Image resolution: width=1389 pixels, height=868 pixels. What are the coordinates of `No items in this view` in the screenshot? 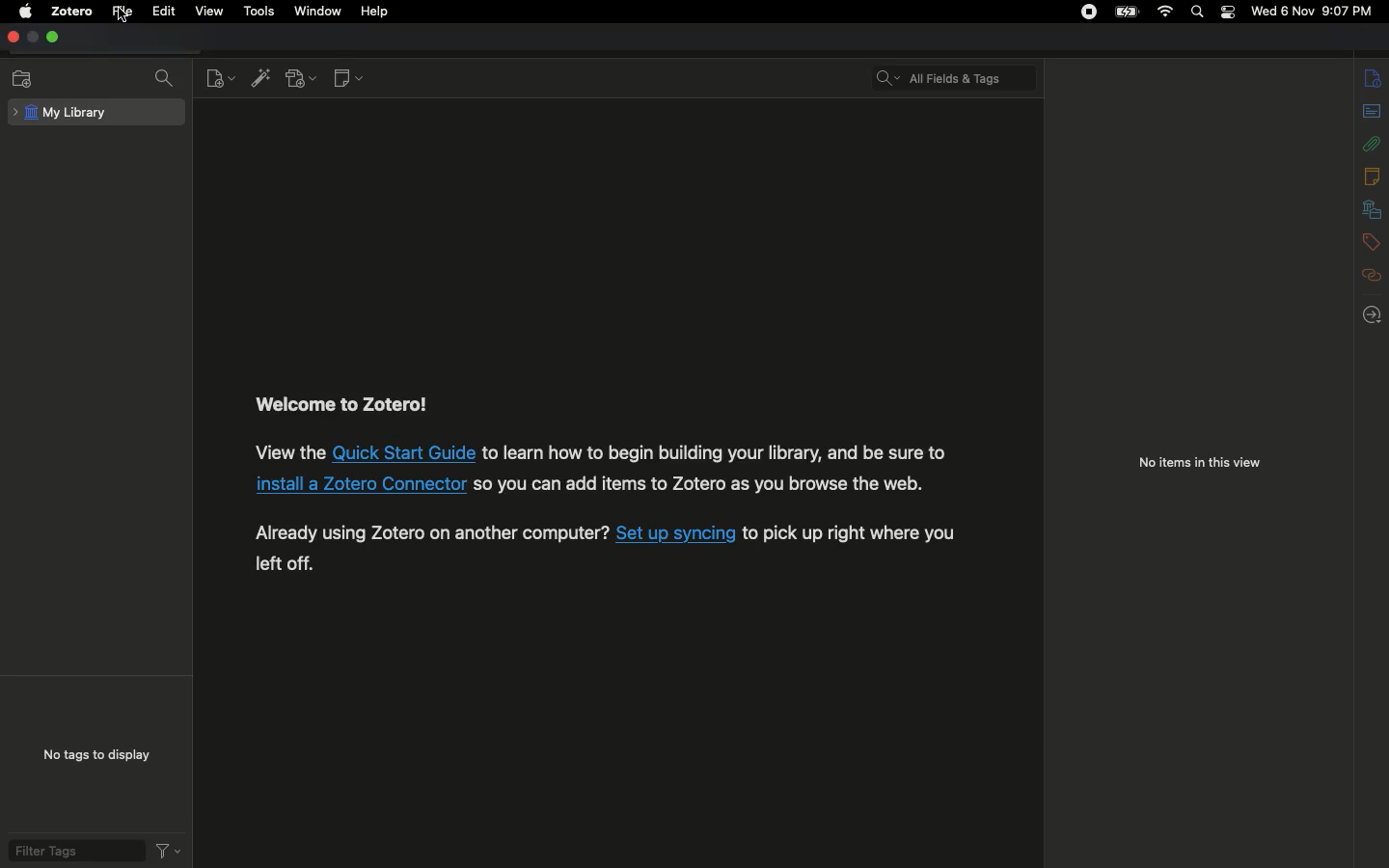 It's located at (1198, 465).